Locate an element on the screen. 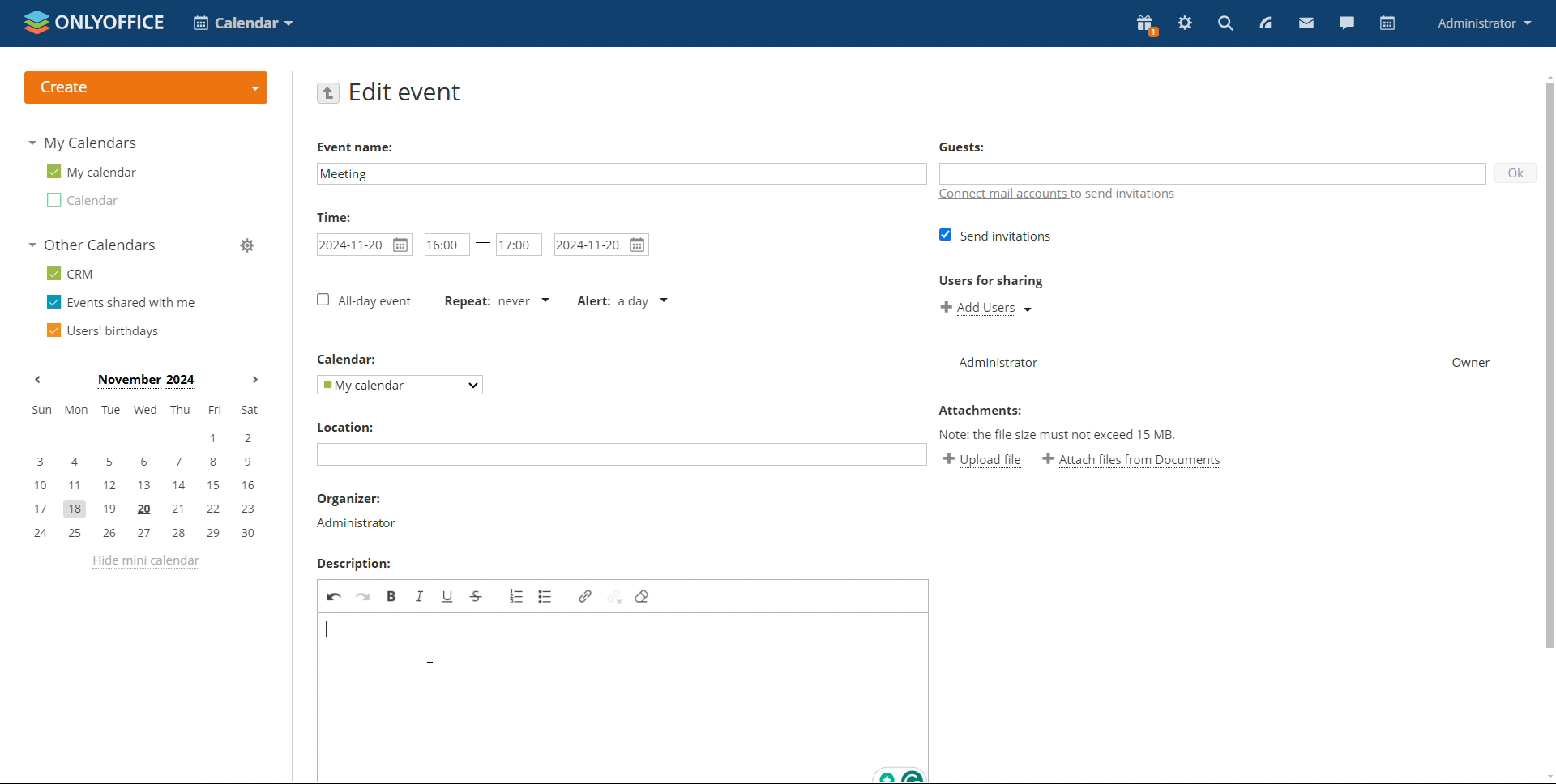  link is located at coordinates (586, 596).